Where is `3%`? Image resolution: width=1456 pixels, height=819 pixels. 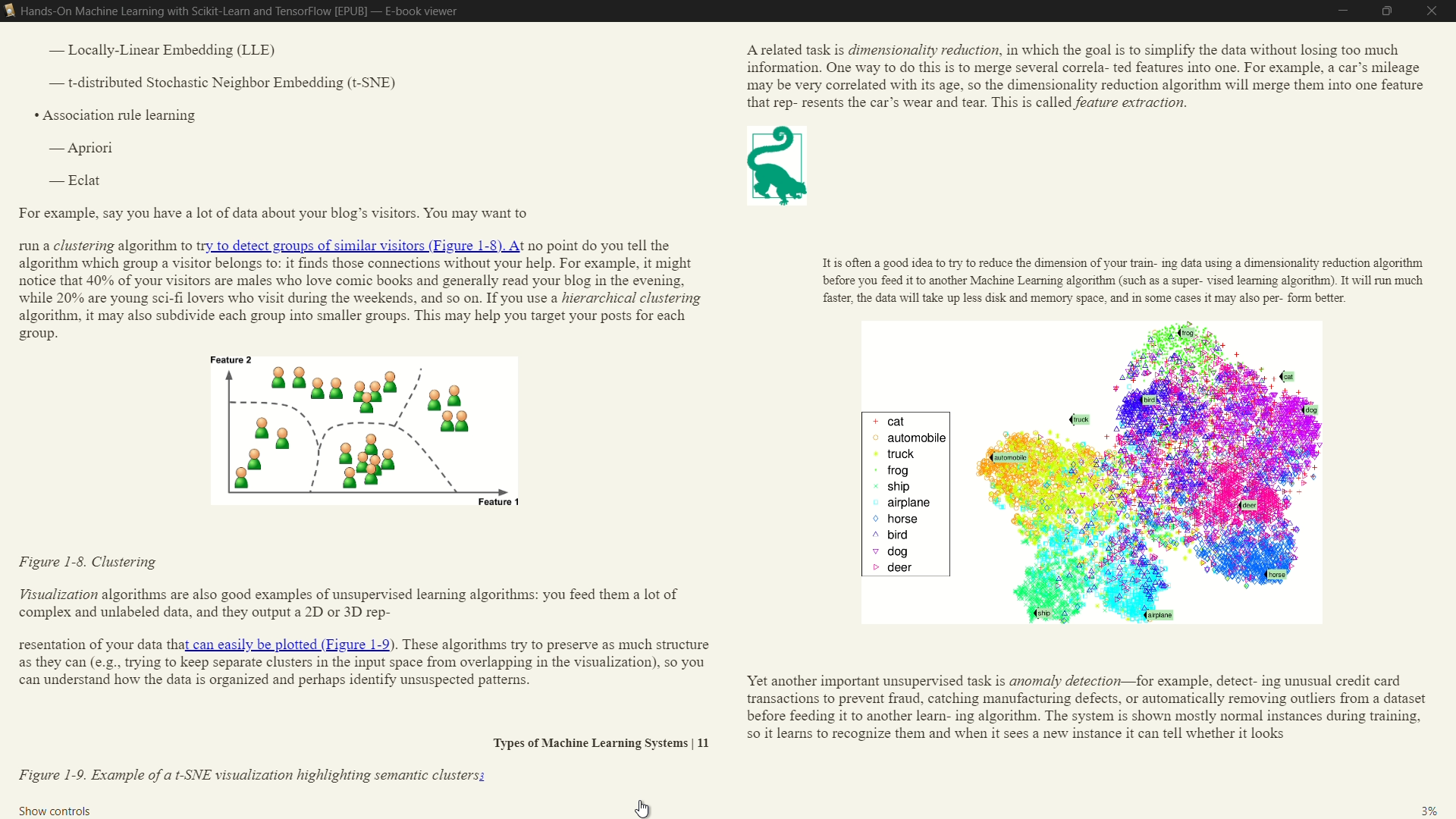
3% is located at coordinates (1428, 808).